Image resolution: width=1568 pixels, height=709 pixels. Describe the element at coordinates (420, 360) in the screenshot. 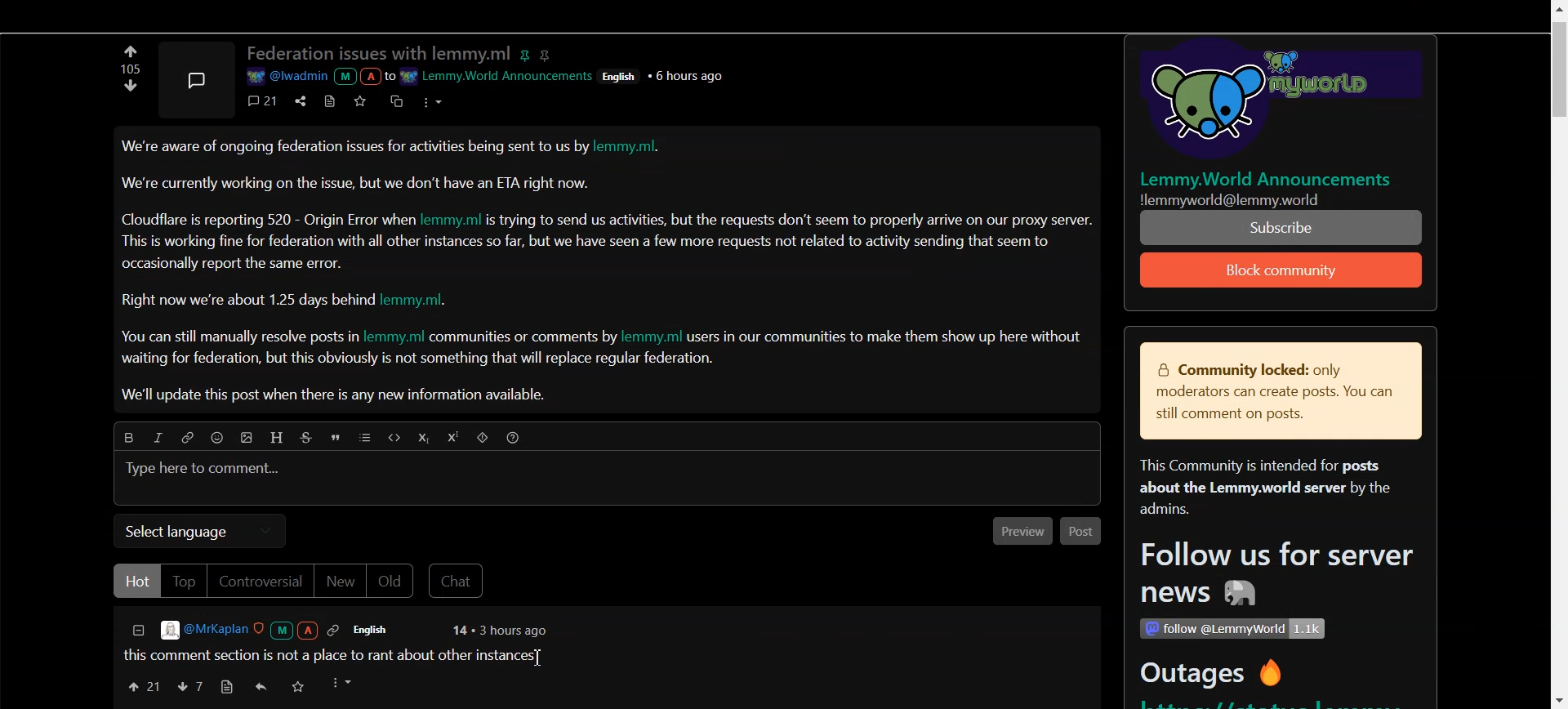

I see `waiting for federation, but this obviously is not something that will replace regular federation.` at that location.